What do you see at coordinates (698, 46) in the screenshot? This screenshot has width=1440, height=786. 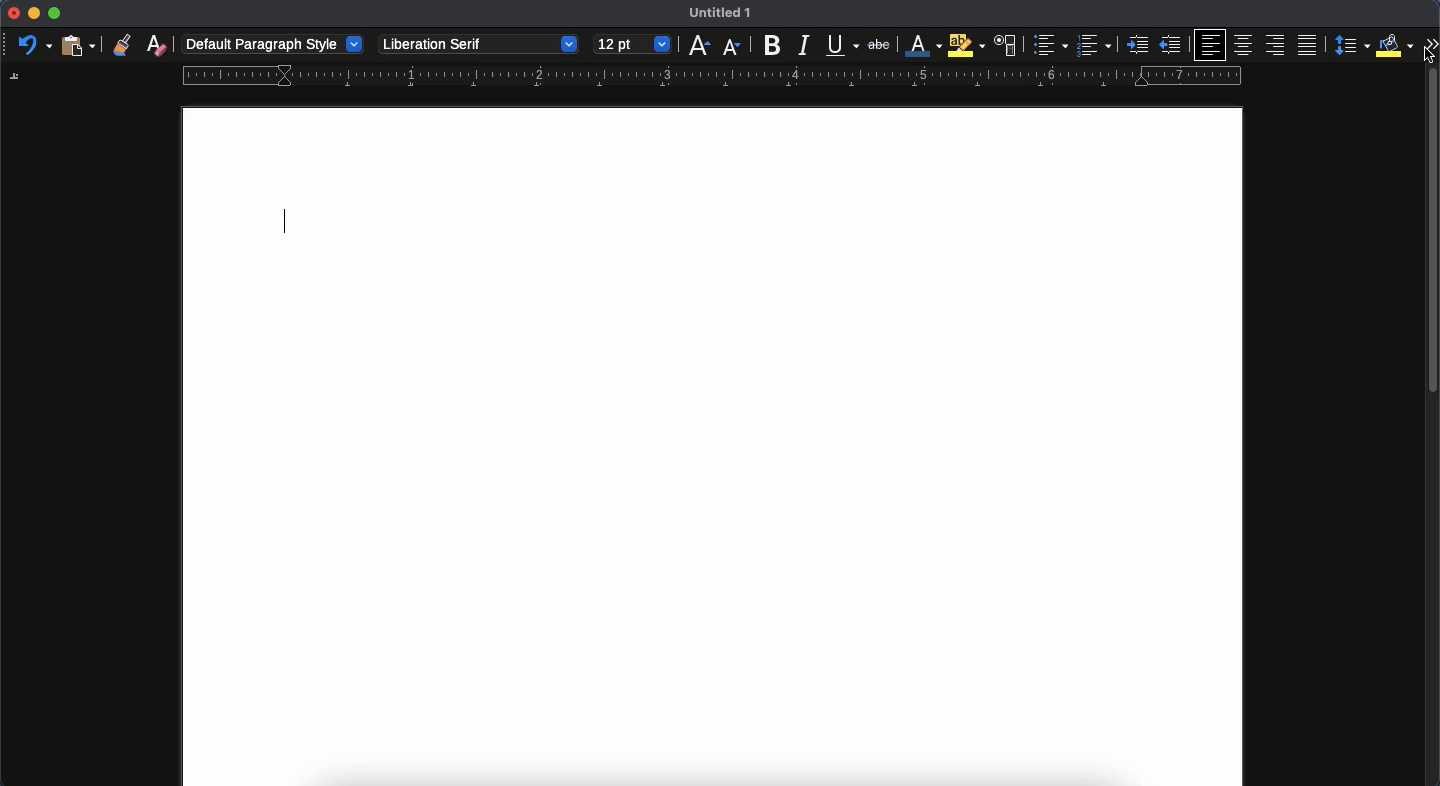 I see `increase size` at bounding box center [698, 46].